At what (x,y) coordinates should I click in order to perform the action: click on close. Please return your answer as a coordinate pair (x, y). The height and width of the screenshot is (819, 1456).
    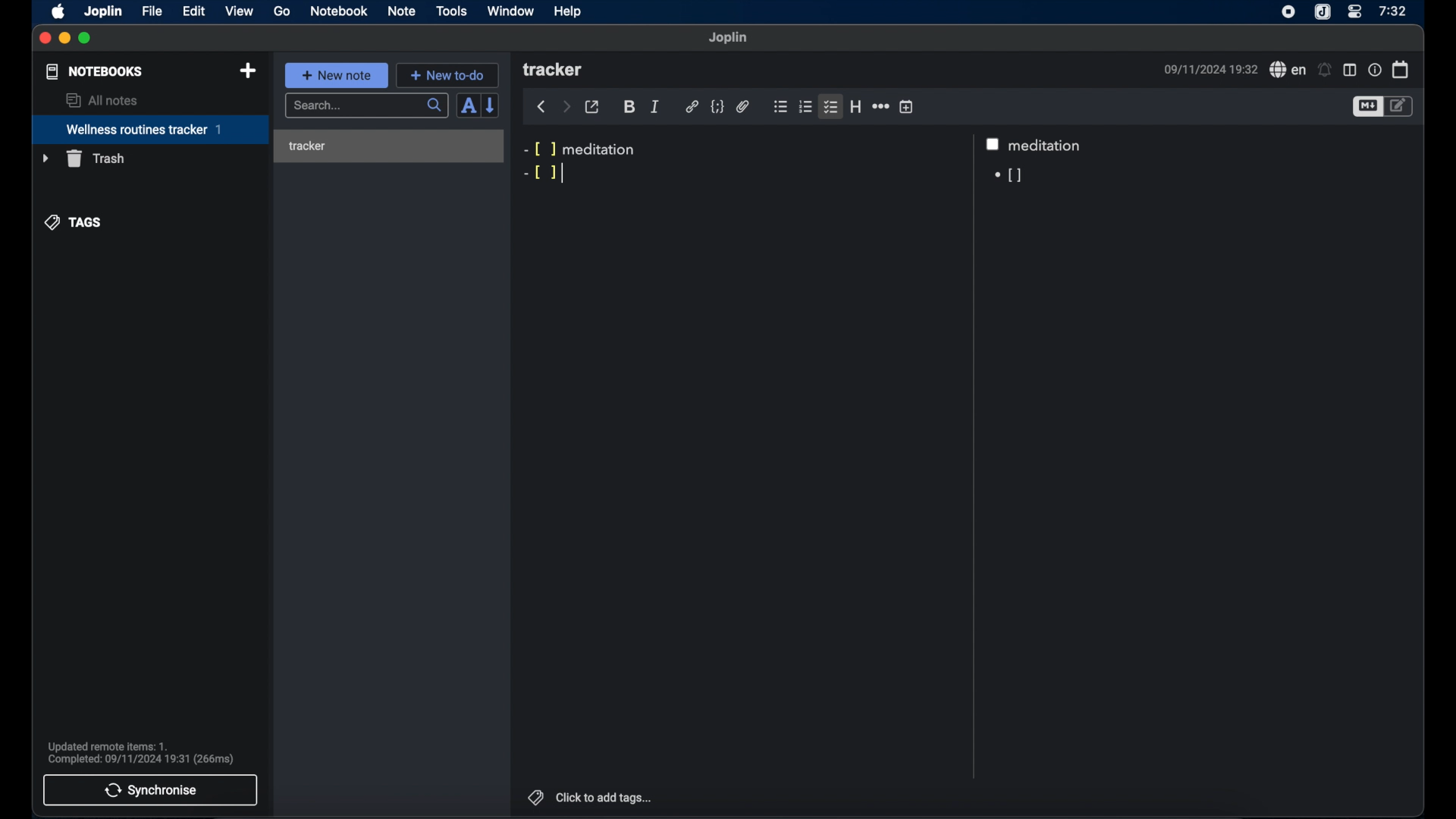
    Looking at the image, I should click on (45, 39).